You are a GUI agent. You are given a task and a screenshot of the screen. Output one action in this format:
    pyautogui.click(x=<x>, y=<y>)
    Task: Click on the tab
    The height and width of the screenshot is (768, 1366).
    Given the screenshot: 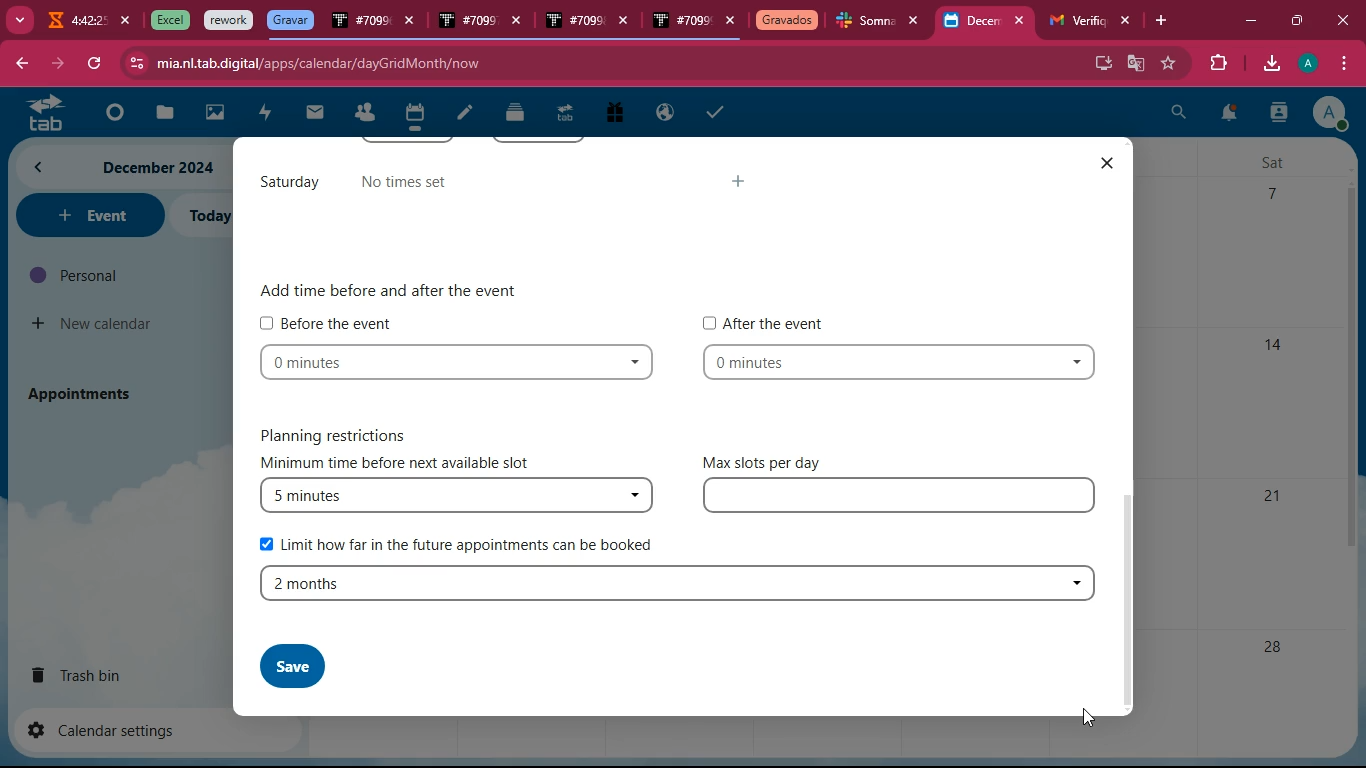 What is the action you would take?
    pyautogui.click(x=1074, y=21)
    